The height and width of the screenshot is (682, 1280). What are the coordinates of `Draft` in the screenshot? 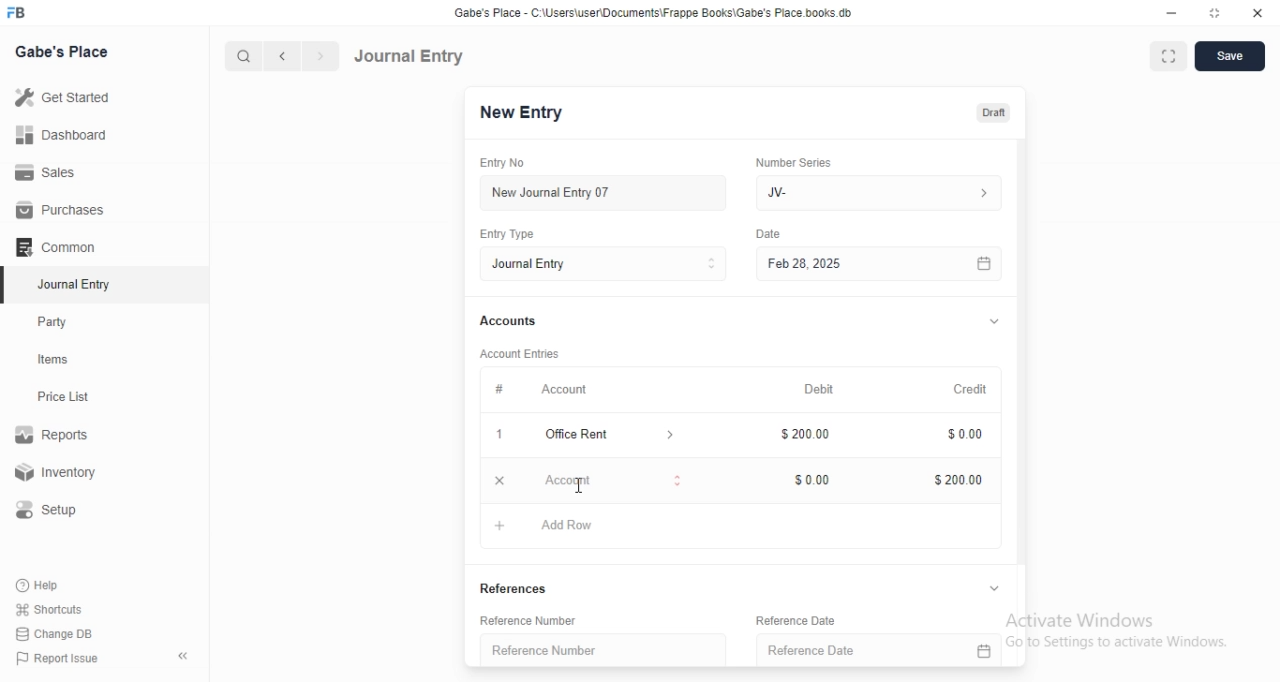 It's located at (993, 113).